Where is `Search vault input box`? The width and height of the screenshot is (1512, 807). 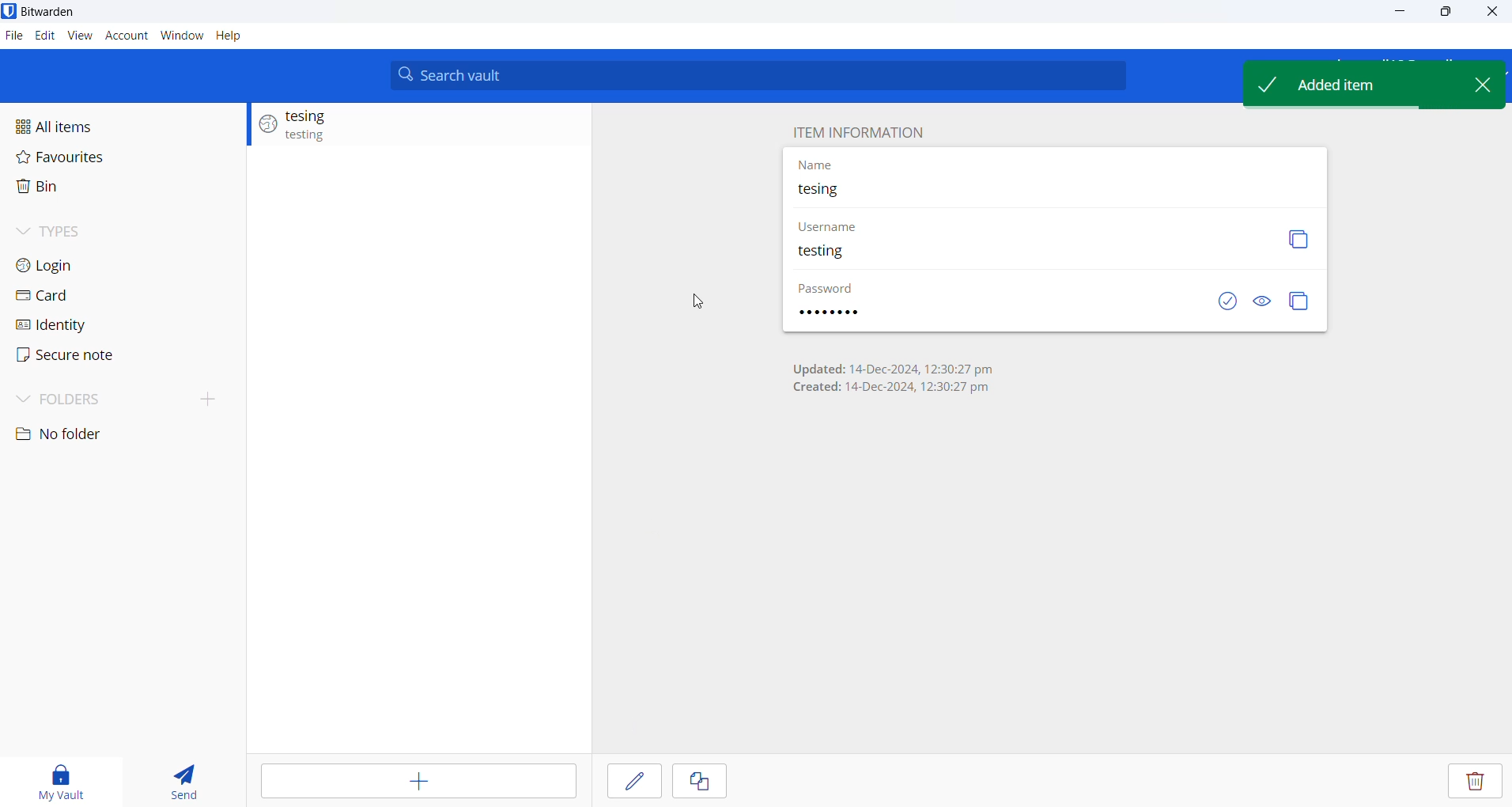 Search vault input box is located at coordinates (753, 75).